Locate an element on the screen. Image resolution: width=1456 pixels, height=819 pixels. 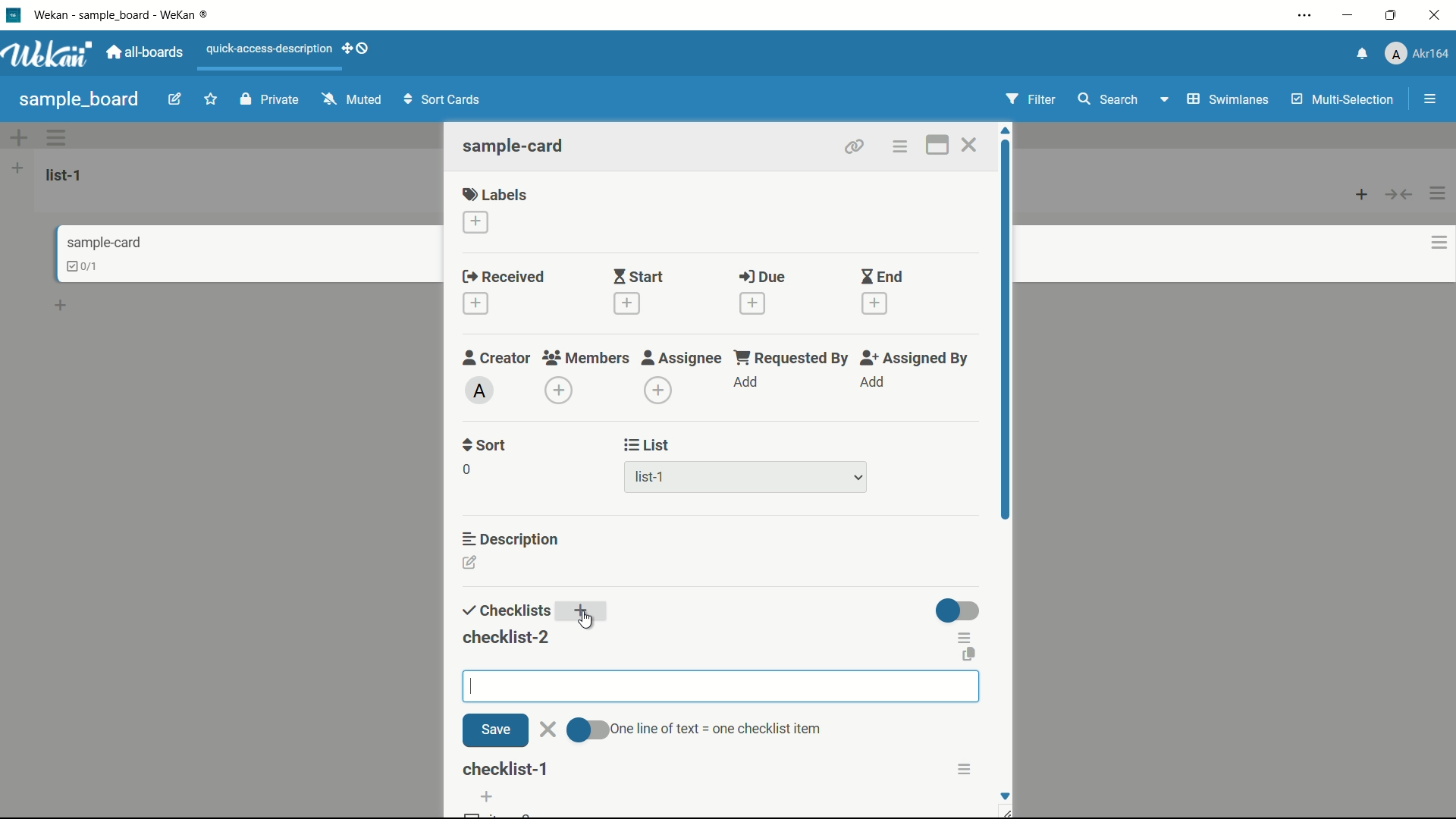
scroll bar is located at coordinates (1007, 378).